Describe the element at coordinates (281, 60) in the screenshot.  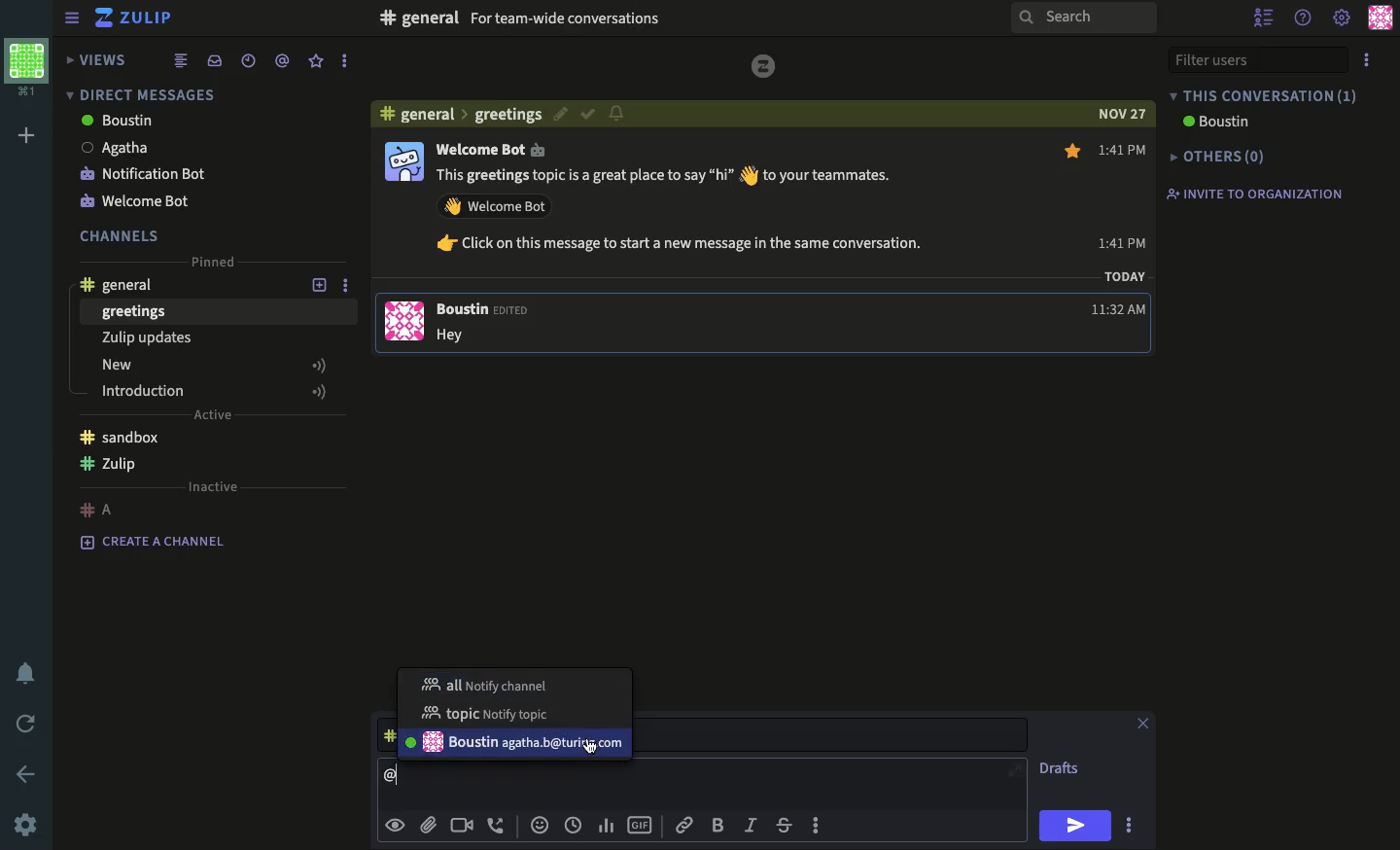
I see `tagged` at that location.